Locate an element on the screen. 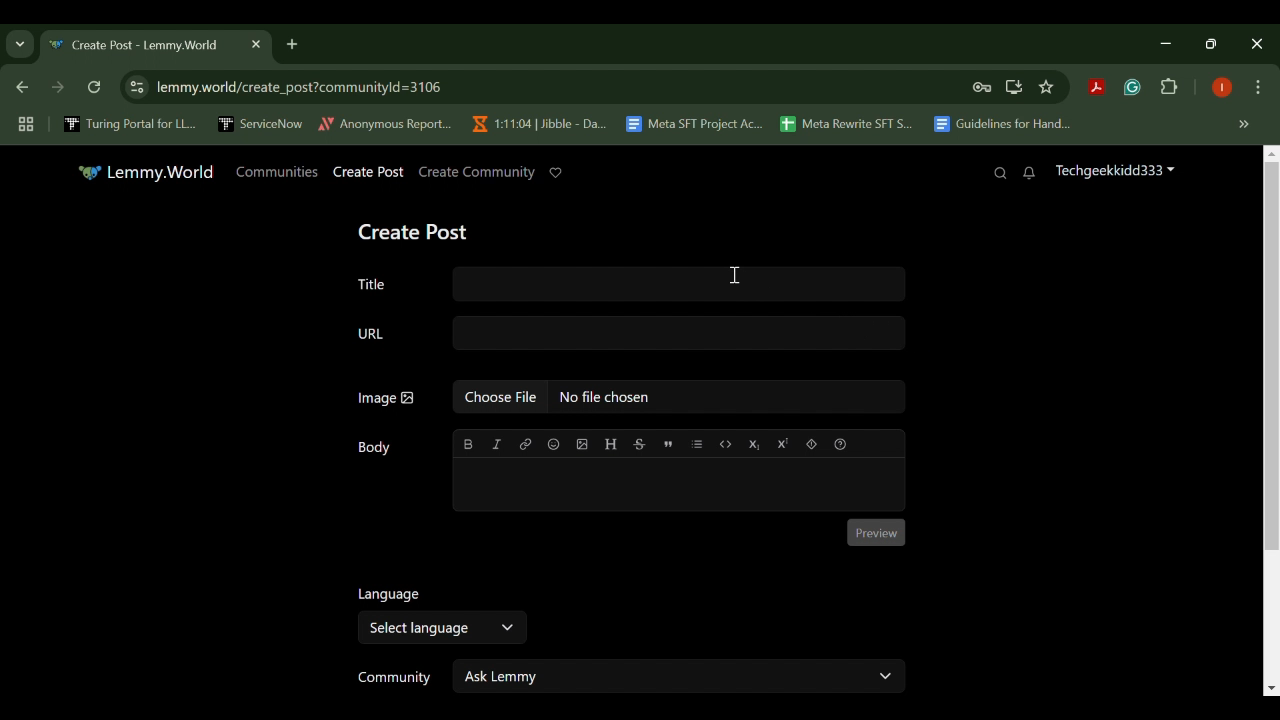  bold is located at coordinates (469, 444).